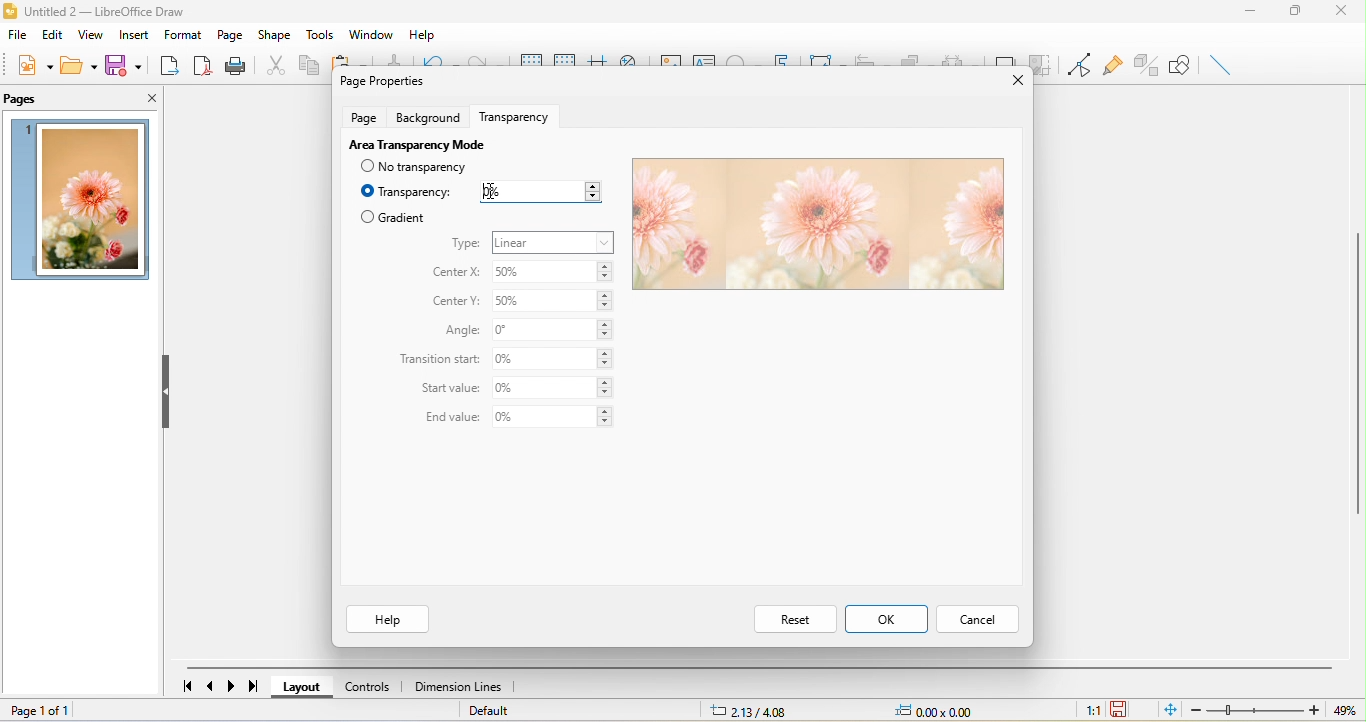 The height and width of the screenshot is (722, 1366). I want to click on next page, so click(229, 686).